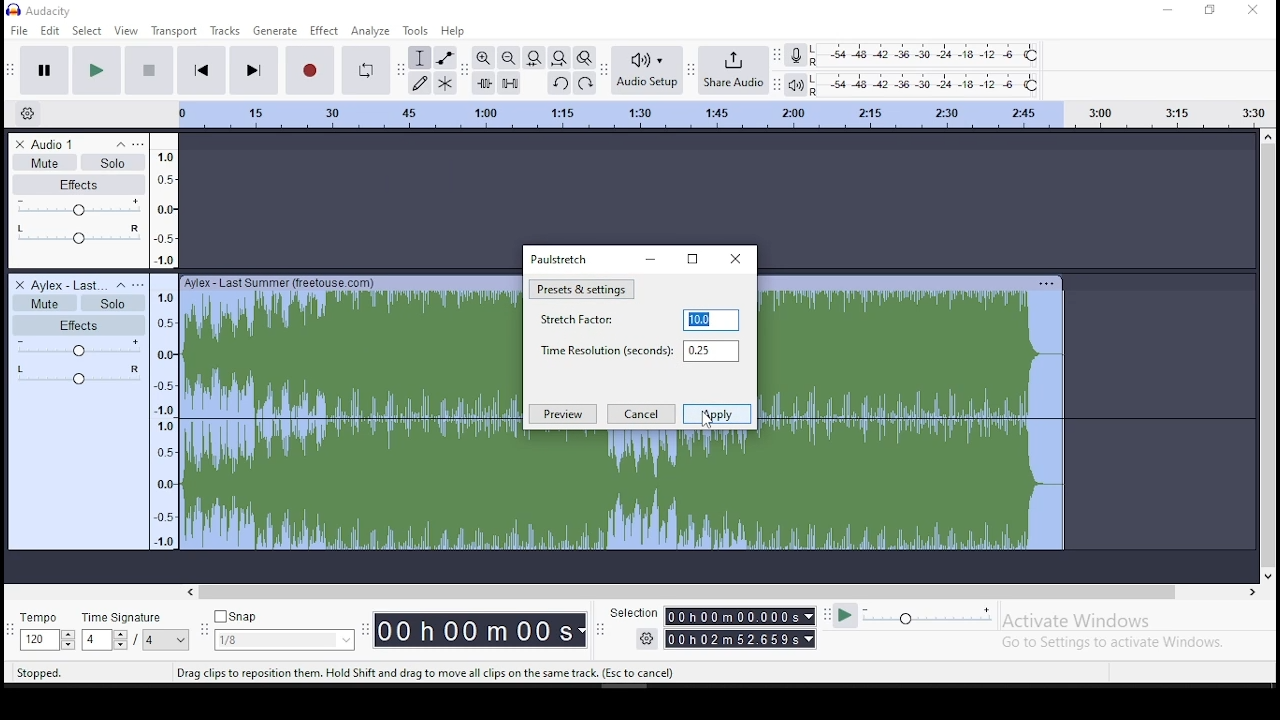 This screenshot has width=1280, height=720. Describe the element at coordinates (735, 258) in the screenshot. I see `close window` at that location.